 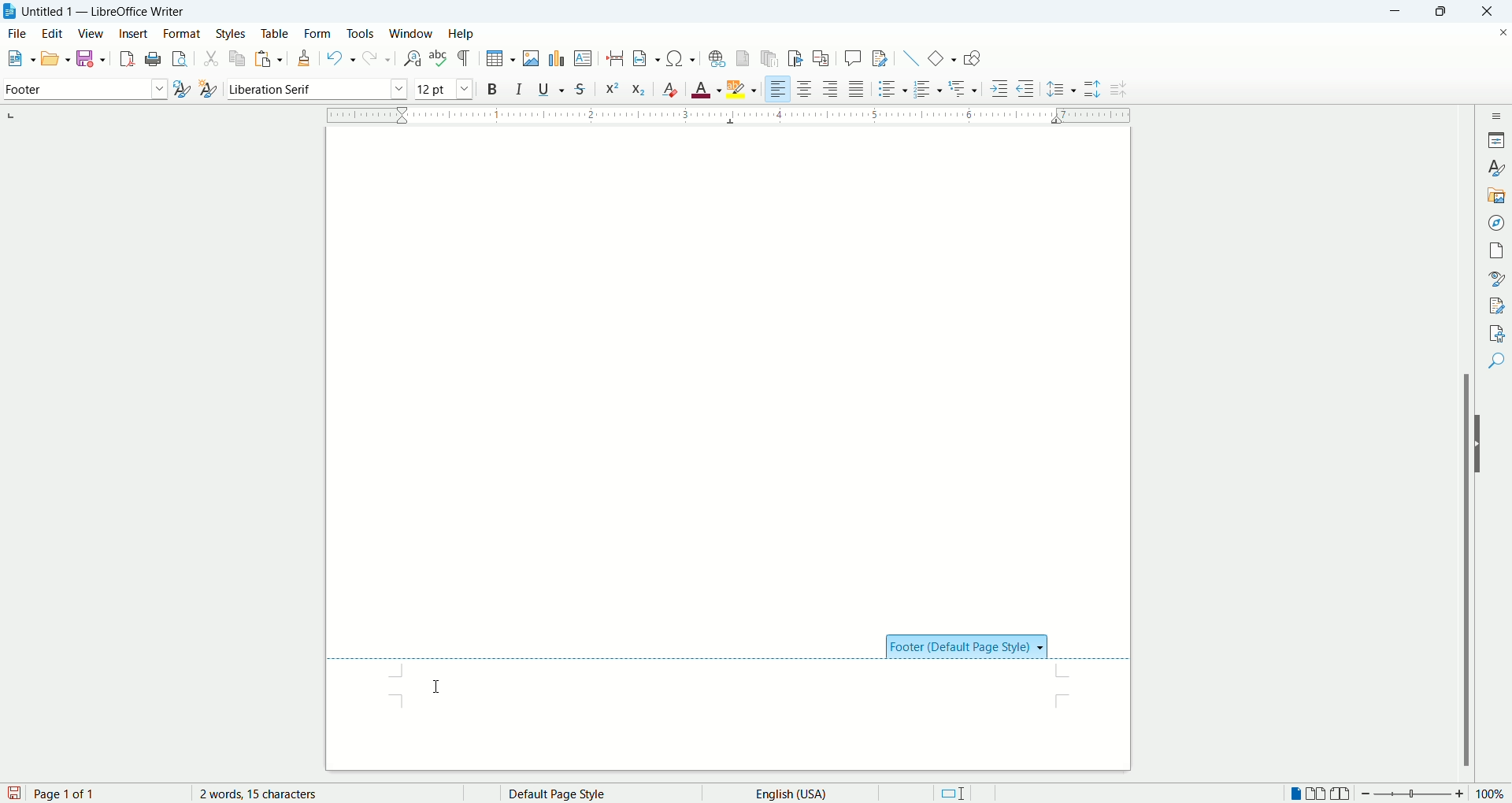 I want to click on align right, so click(x=832, y=91).